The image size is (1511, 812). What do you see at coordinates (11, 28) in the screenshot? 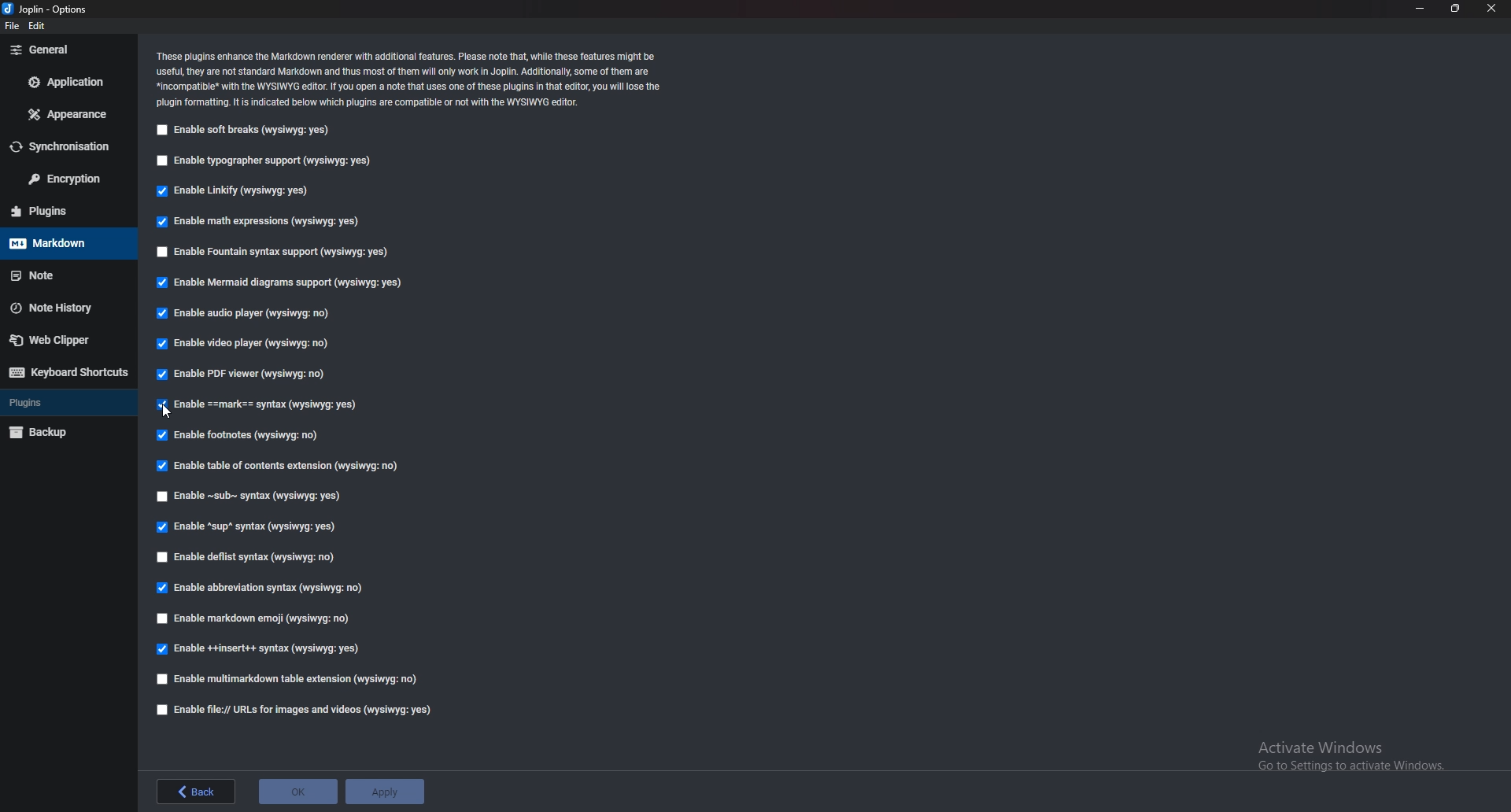
I see `file` at bounding box center [11, 28].